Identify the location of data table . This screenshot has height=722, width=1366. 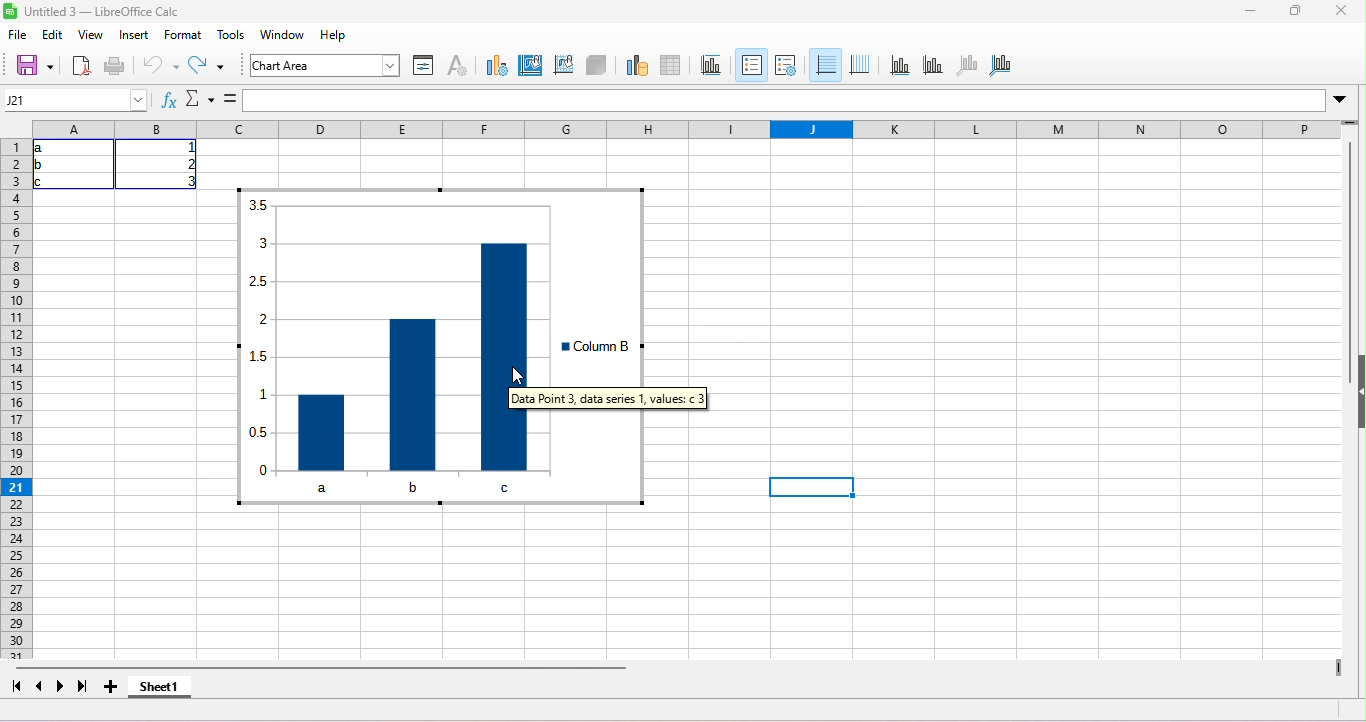
(675, 63).